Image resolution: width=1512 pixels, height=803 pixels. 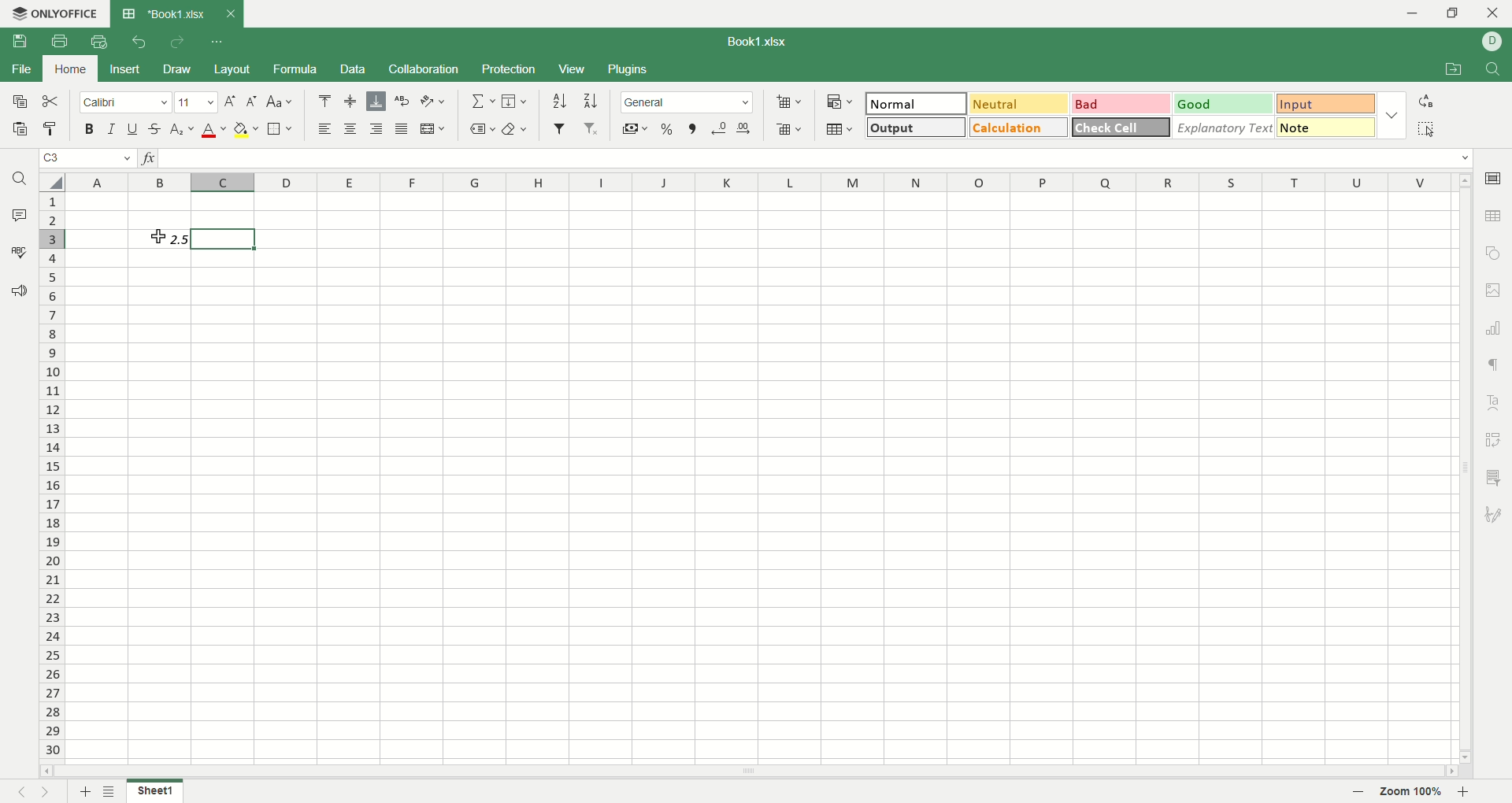 I want to click on cut, so click(x=50, y=102).